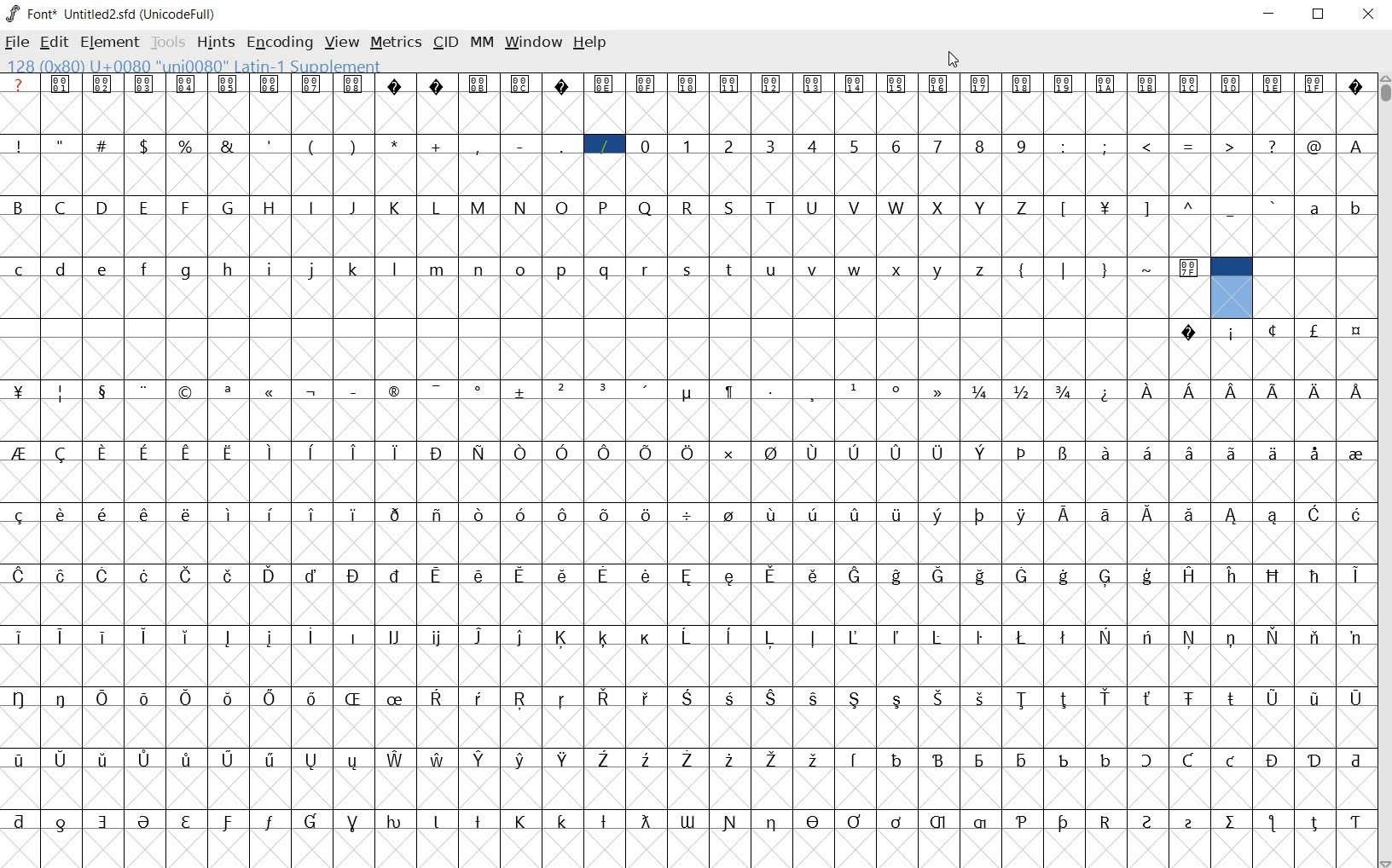  Describe the element at coordinates (606, 760) in the screenshot. I see `Symbol` at that location.